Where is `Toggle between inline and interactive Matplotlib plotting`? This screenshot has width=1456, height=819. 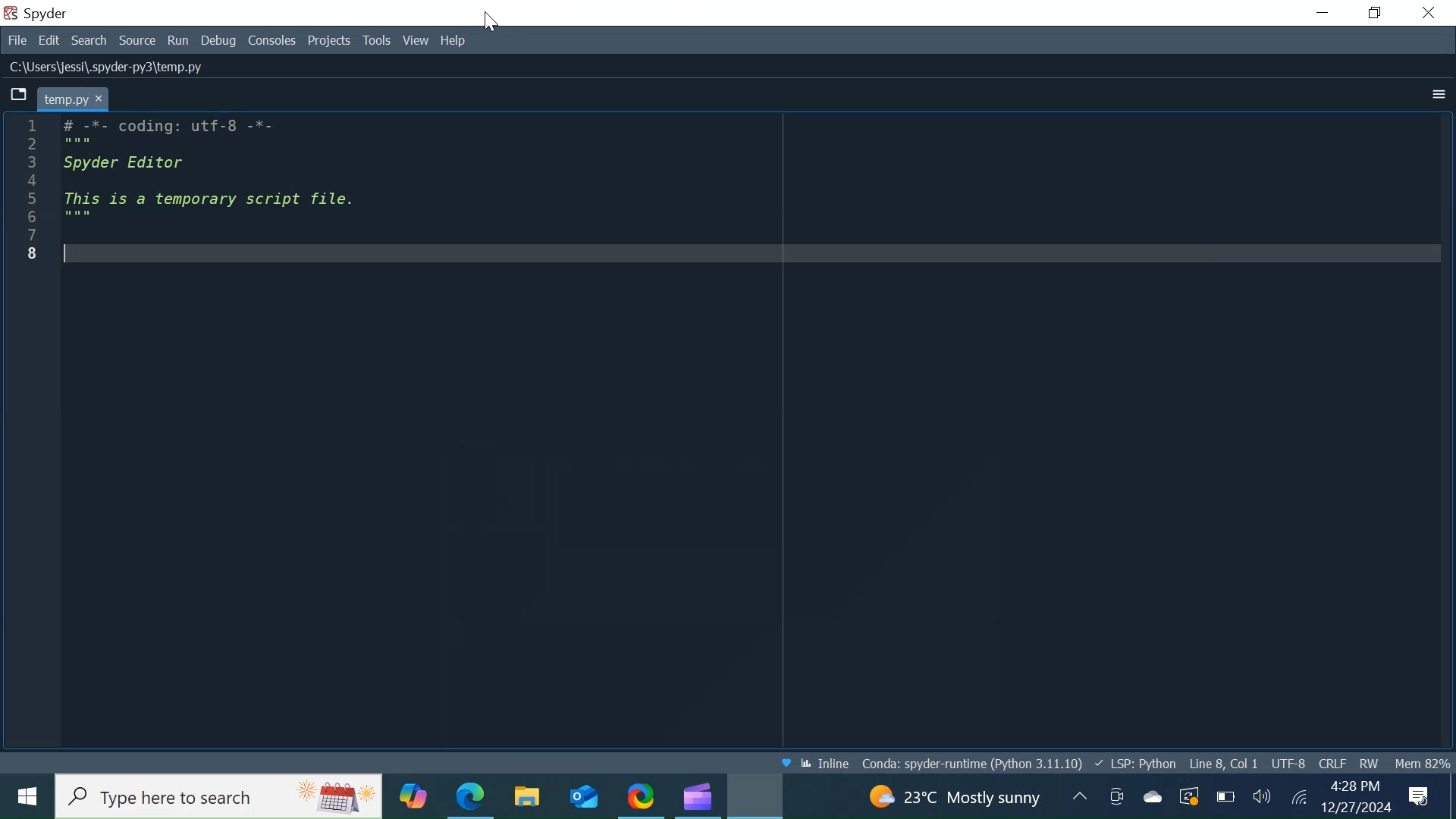
Toggle between inline and interactive Matplotlib plotting is located at coordinates (826, 763).